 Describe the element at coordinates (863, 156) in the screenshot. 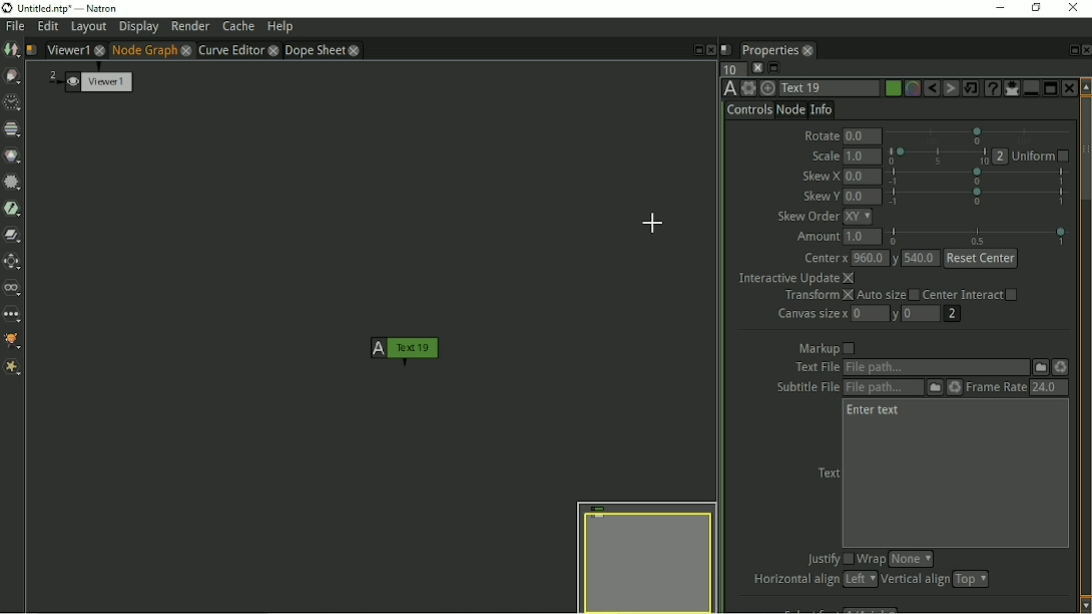

I see `1.0` at that location.